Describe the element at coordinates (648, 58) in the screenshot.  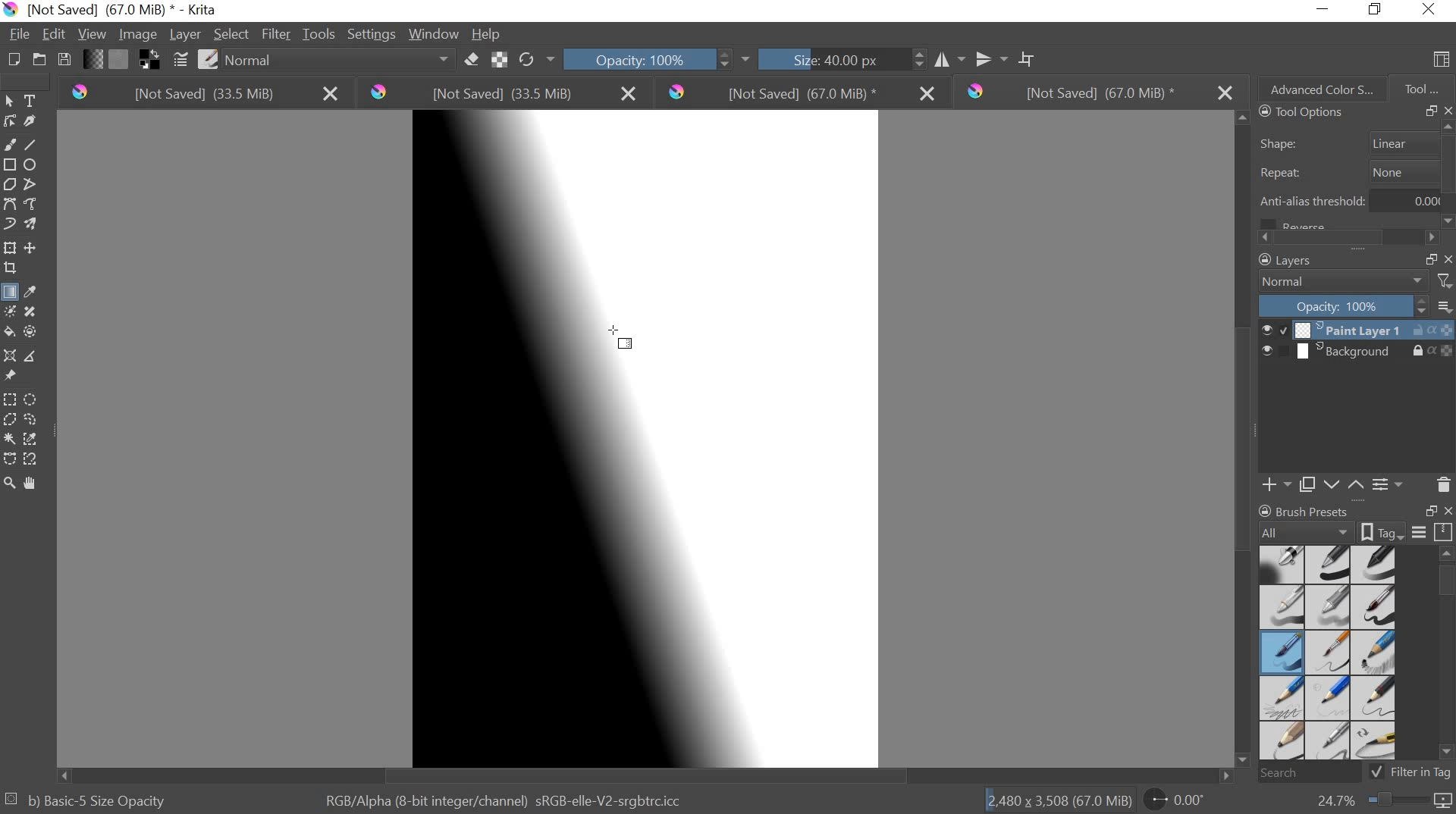
I see `OPACITY 100%` at that location.